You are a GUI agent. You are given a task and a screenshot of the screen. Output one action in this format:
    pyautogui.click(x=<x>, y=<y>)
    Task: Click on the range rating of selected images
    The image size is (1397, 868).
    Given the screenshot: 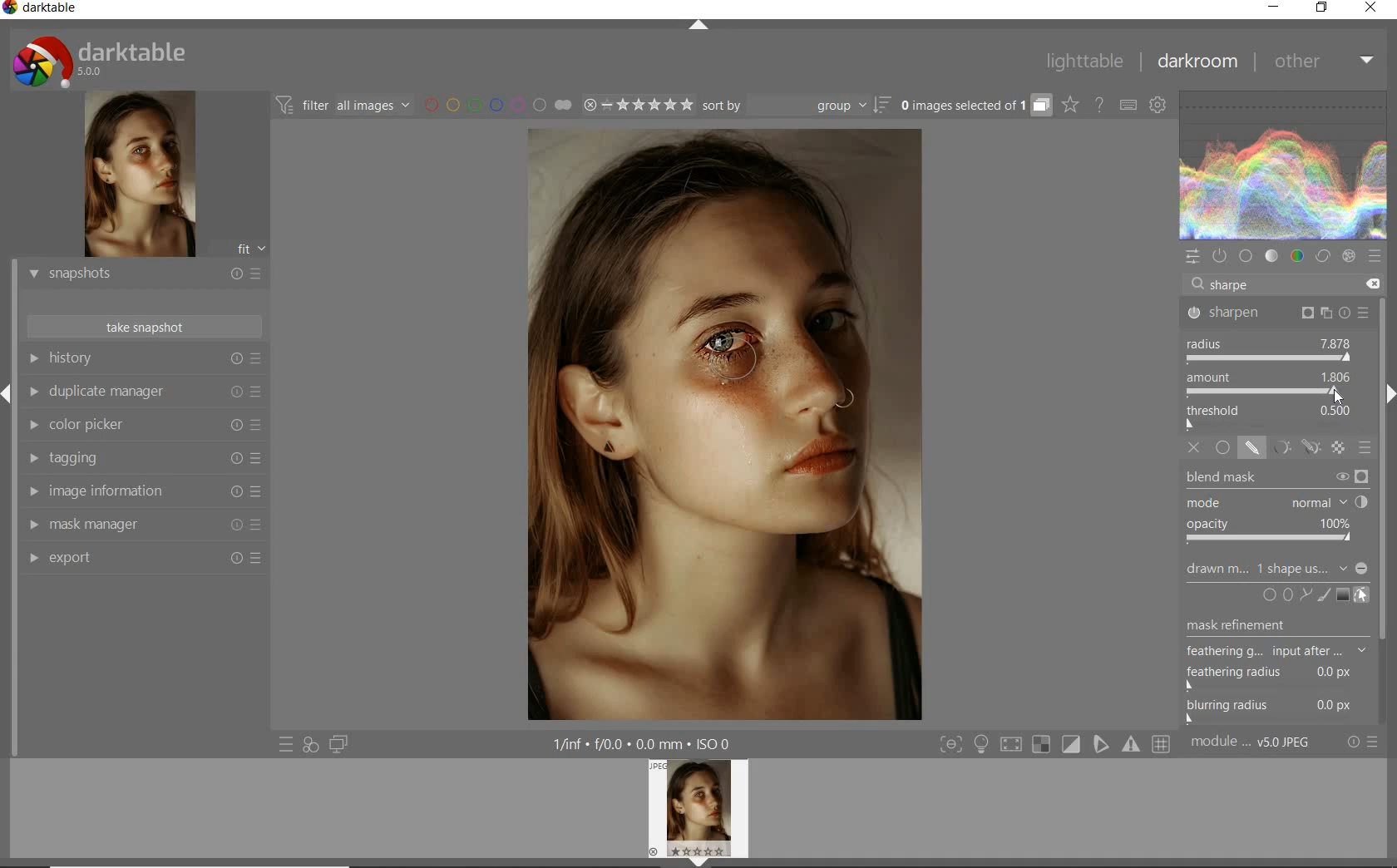 What is the action you would take?
    pyautogui.click(x=637, y=106)
    